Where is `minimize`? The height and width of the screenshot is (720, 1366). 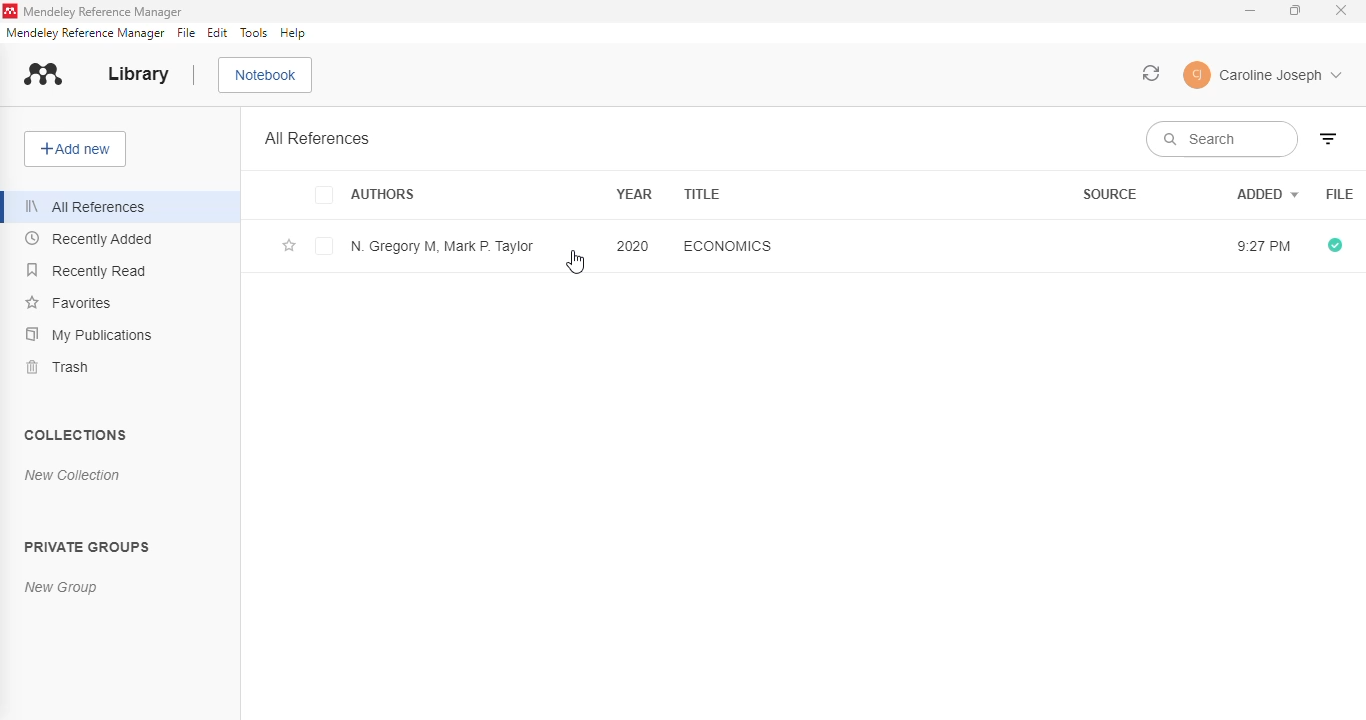 minimize is located at coordinates (1252, 11).